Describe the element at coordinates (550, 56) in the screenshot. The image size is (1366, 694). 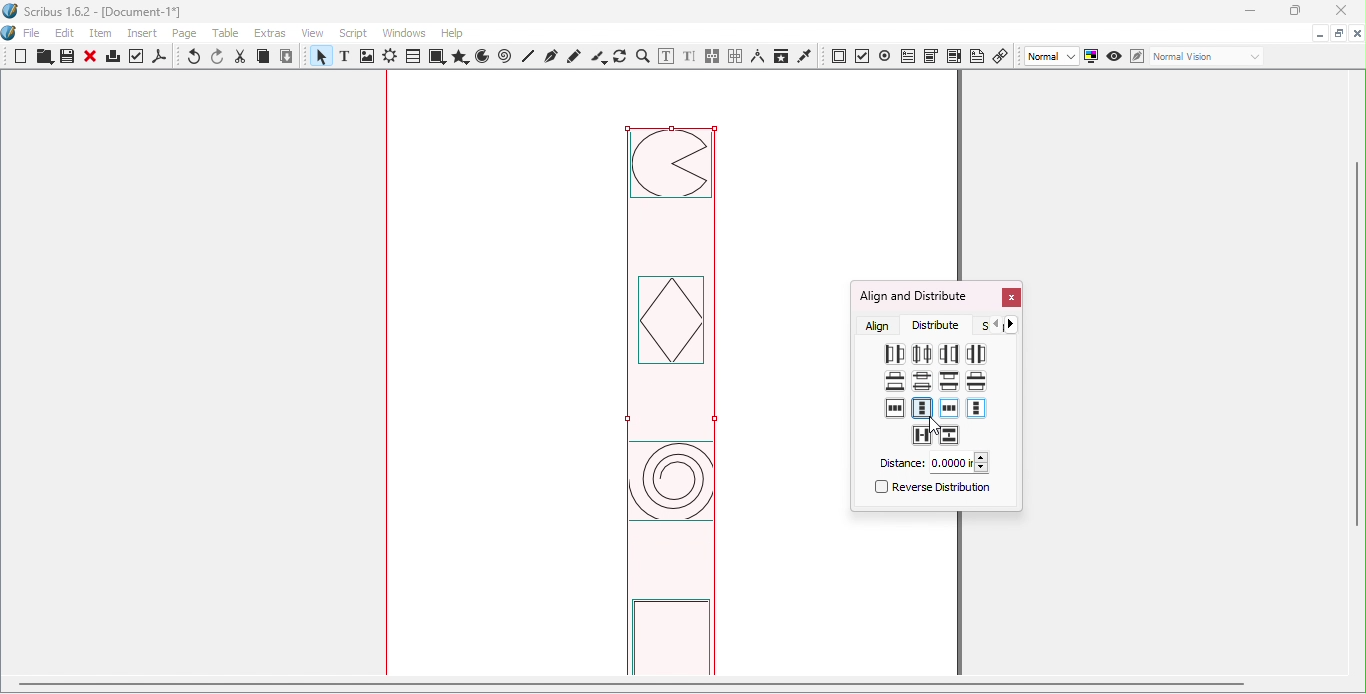
I see `Bezier curve tool` at that location.